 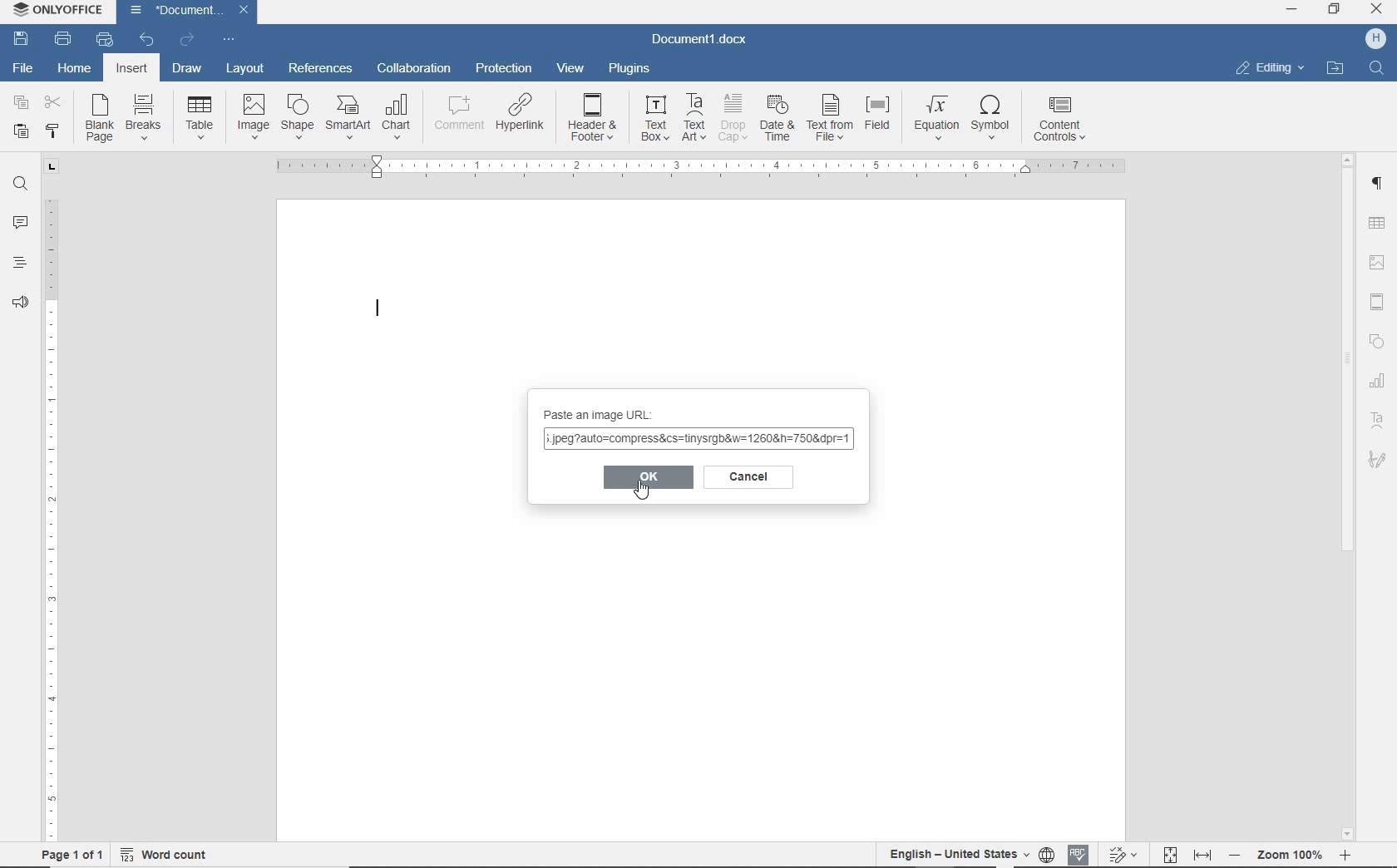 I want to click on comment, so click(x=457, y=113).